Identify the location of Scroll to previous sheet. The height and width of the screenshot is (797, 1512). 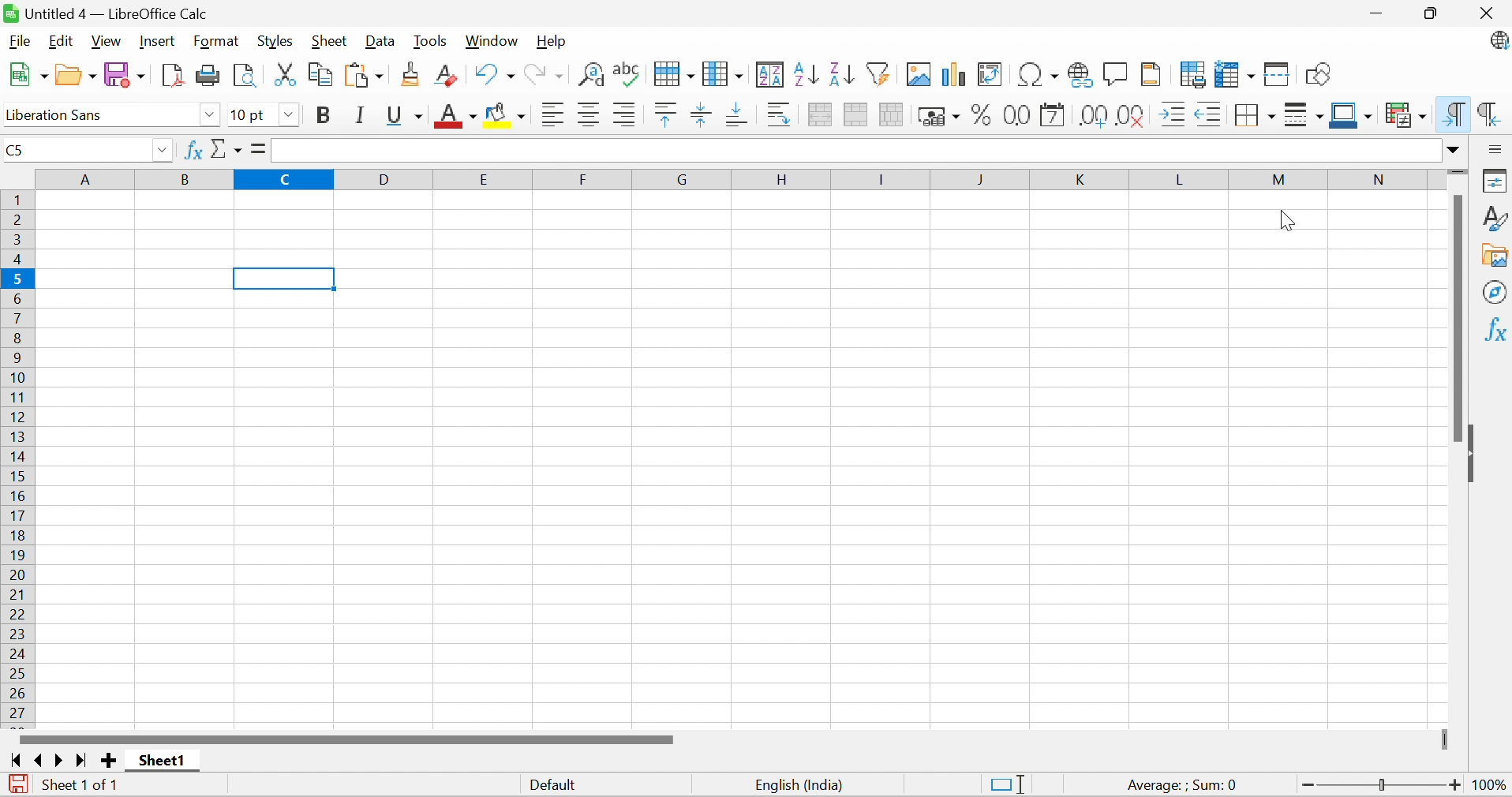
(39, 759).